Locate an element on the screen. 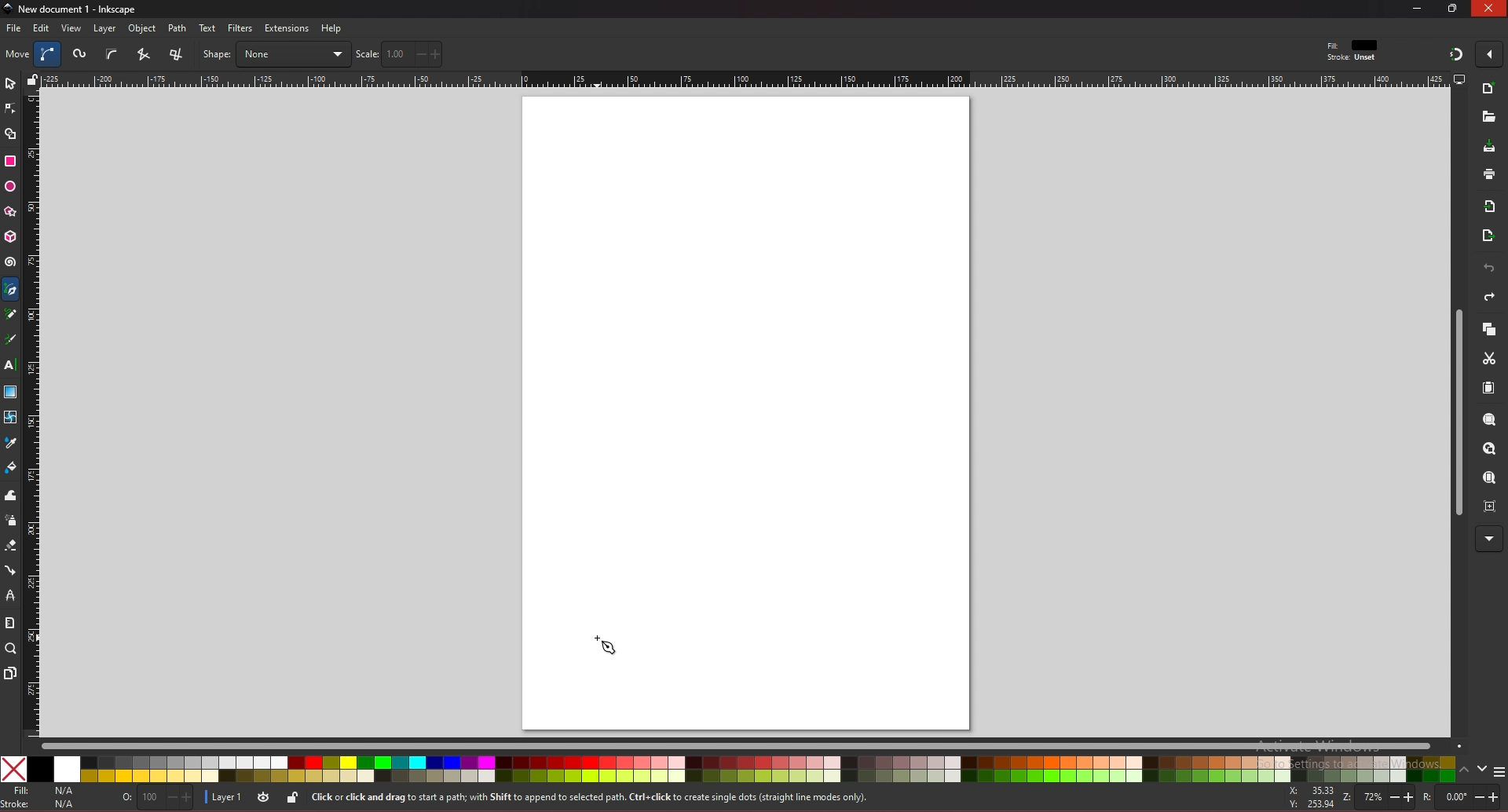  eraser is located at coordinates (10, 546).